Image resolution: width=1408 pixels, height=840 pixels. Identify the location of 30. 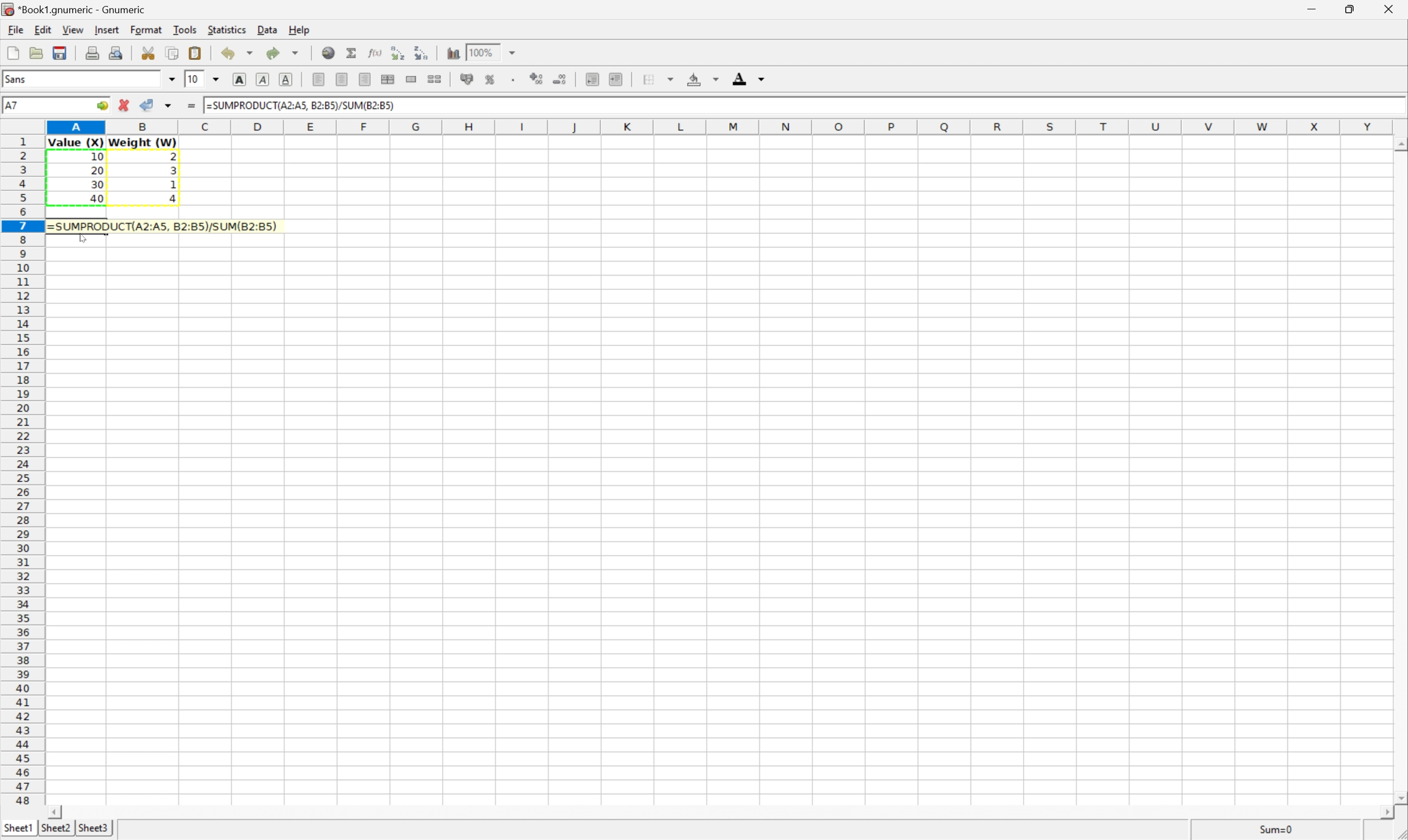
(98, 185).